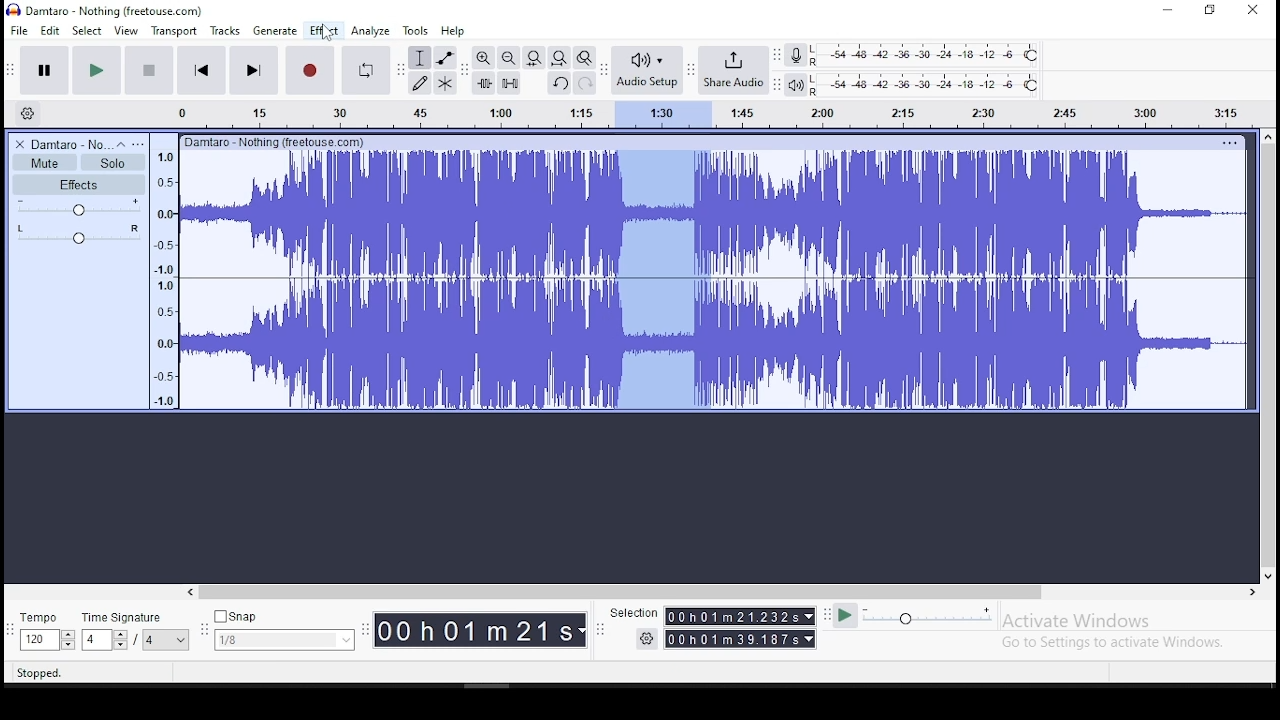  What do you see at coordinates (269, 640) in the screenshot?
I see `1/8` at bounding box center [269, 640].